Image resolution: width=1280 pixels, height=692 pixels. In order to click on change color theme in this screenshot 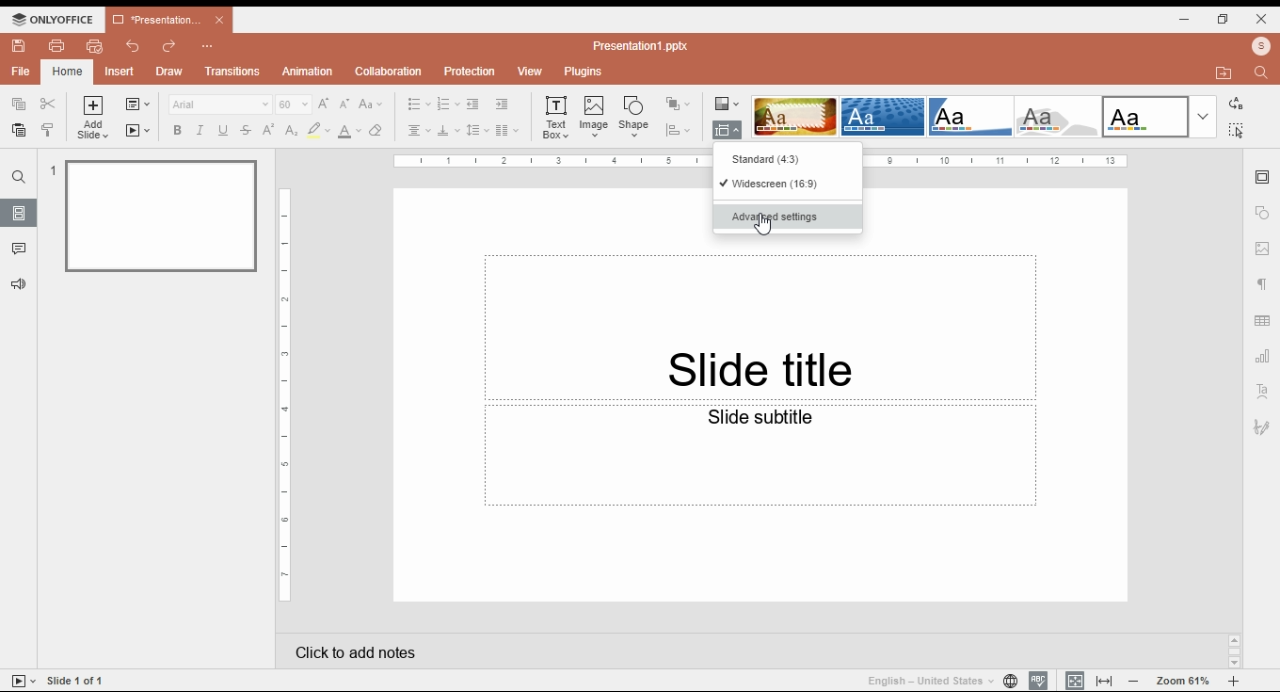, I will do `click(727, 104)`.